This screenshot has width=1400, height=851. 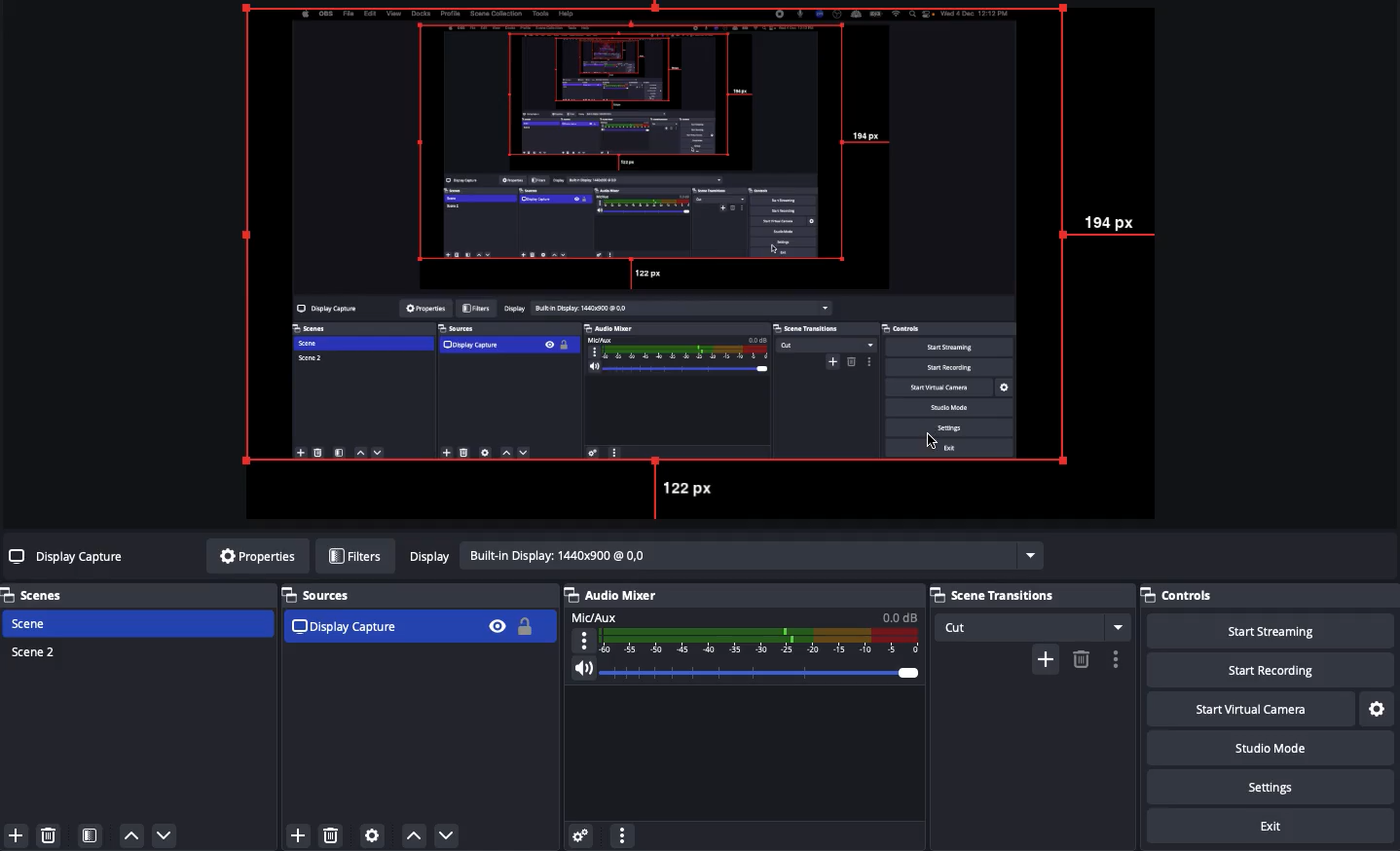 What do you see at coordinates (411, 832) in the screenshot?
I see `Up` at bounding box center [411, 832].